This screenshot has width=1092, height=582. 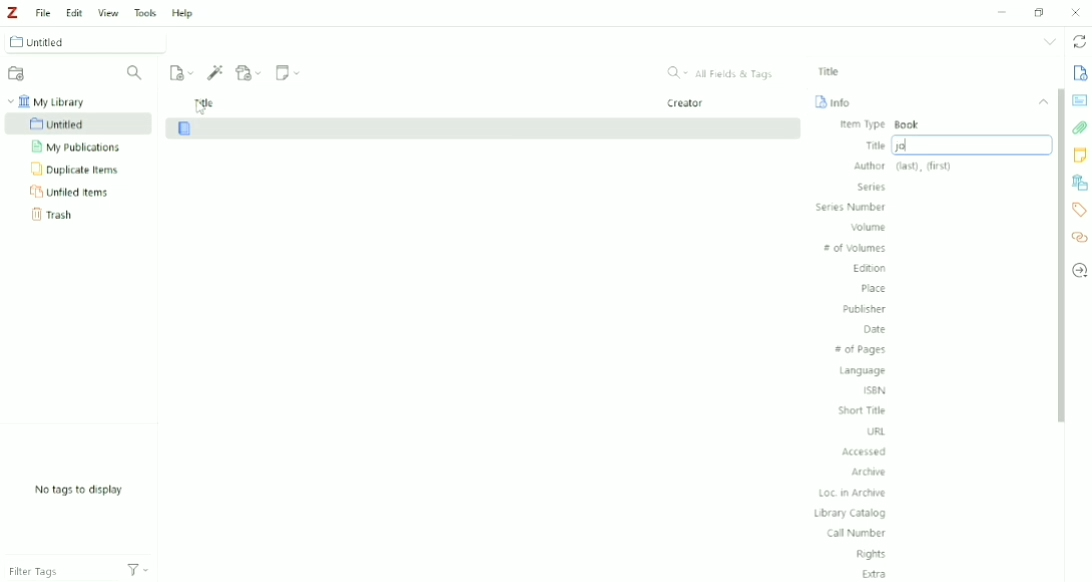 I want to click on Help, so click(x=183, y=13).